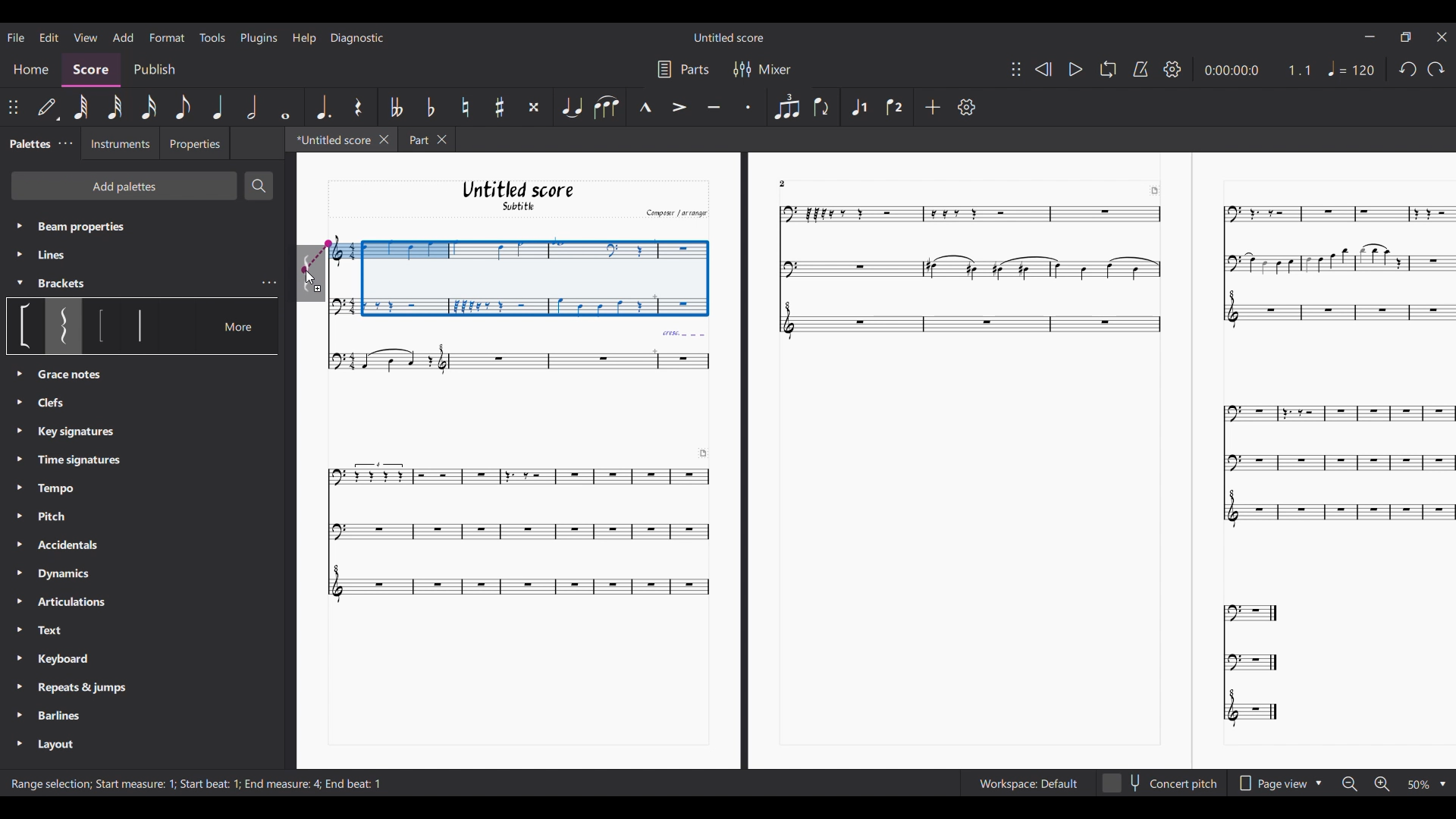  Describe the element at coordinates (76, 433) in the screenshot. I see `Key Signatures` at that location.